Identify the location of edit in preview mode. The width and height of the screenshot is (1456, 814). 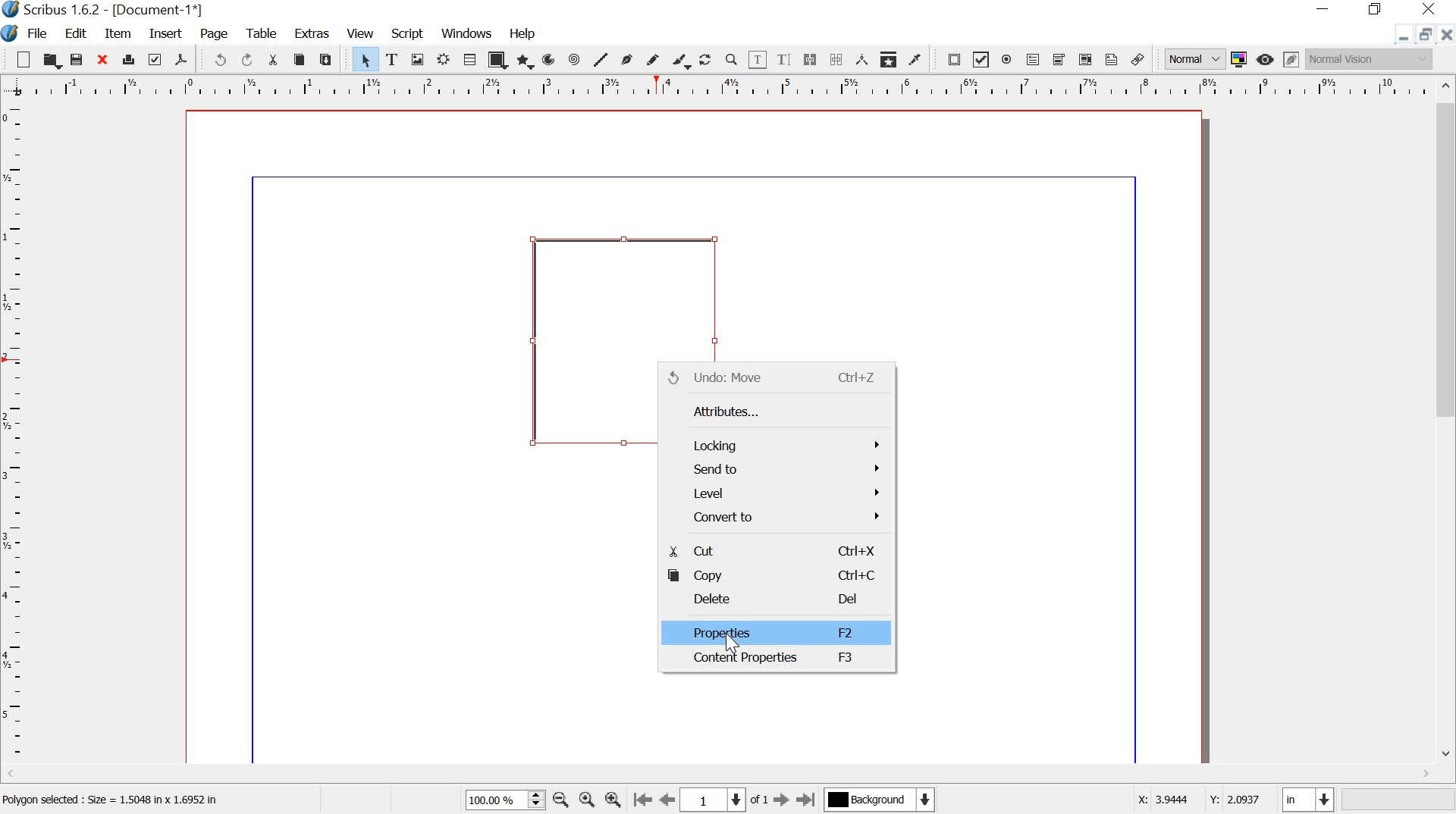
(1292, 59).